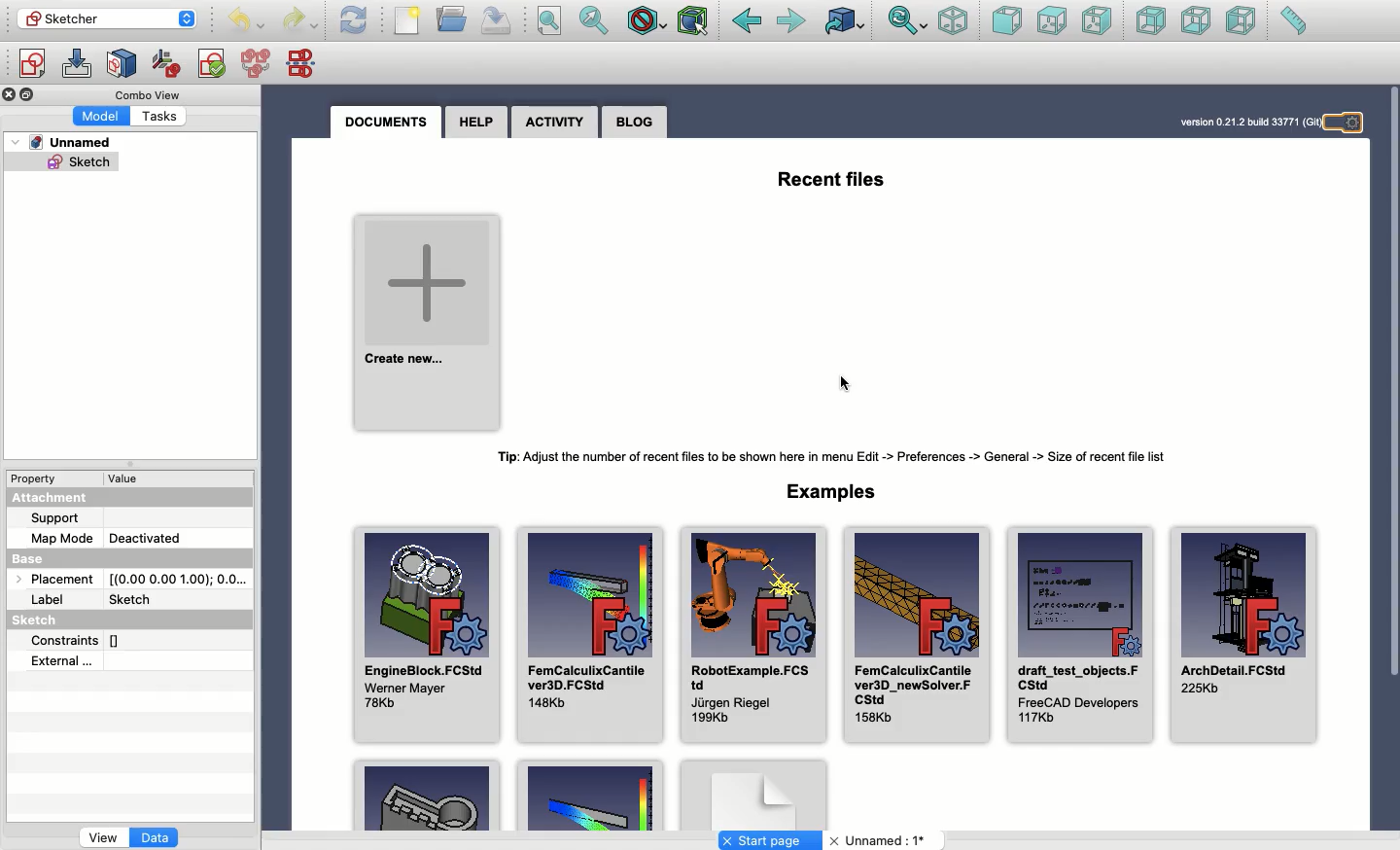 This screenshot has width=1400, height=850. I want to click on Create sketch, so click(30, 63).